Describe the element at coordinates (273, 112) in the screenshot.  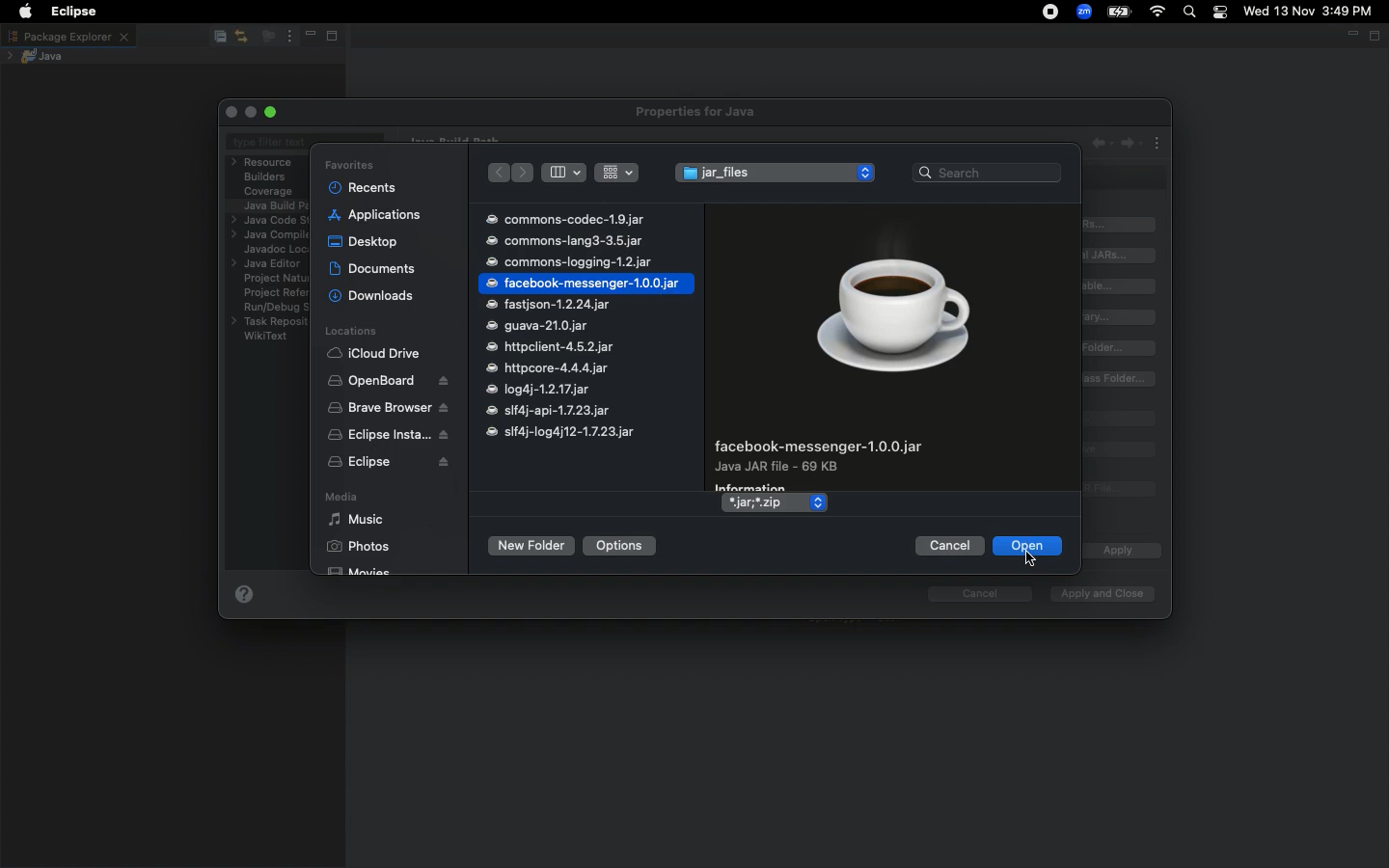
I see `Maximize` at that location.